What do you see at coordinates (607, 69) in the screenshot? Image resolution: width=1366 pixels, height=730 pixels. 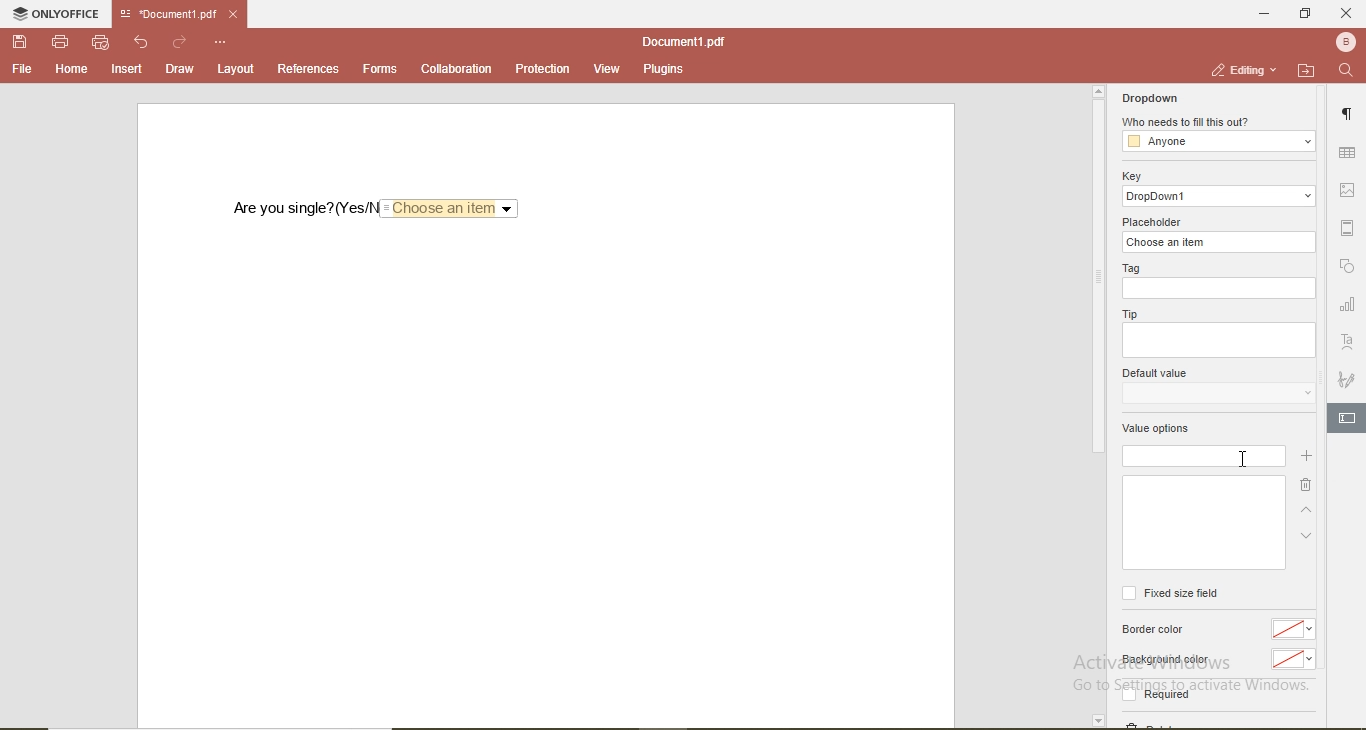 I see `view` at bounding box center [607, 69].